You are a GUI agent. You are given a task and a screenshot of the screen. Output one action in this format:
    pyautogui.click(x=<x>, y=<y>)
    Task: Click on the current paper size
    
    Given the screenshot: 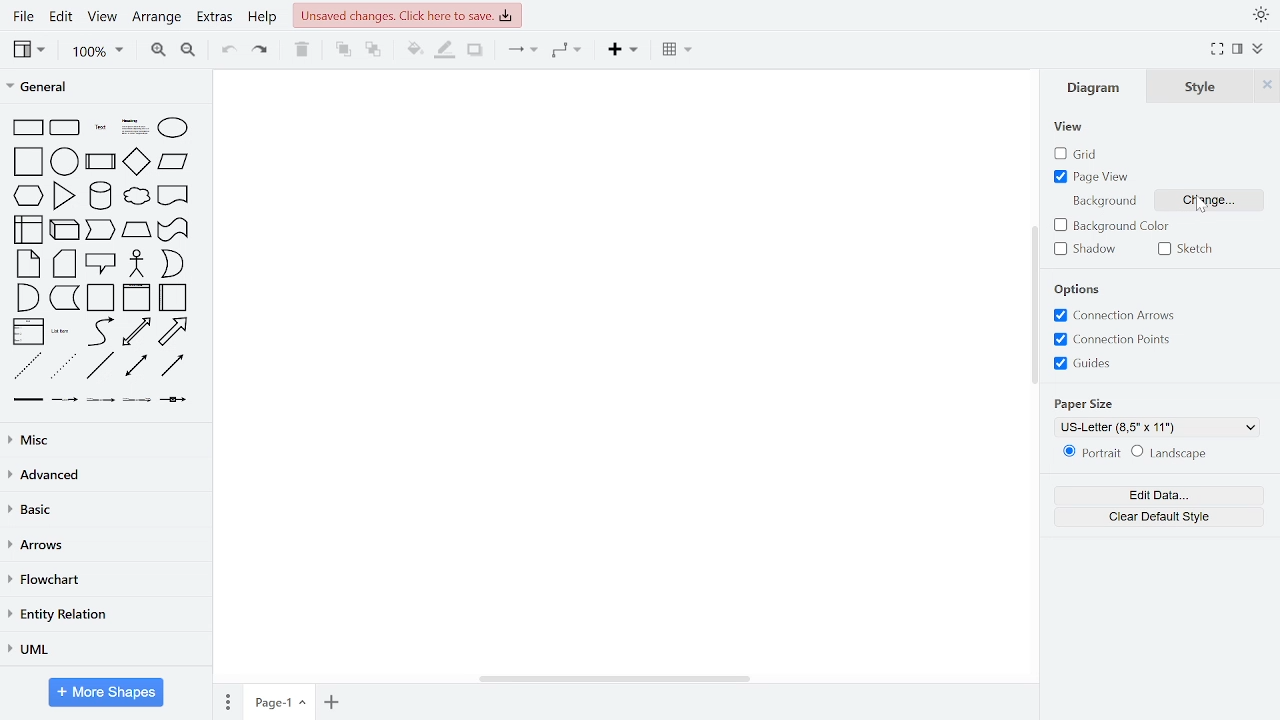 What is the action you would take?
    pyautogui.click(x=1159, y=426)
    